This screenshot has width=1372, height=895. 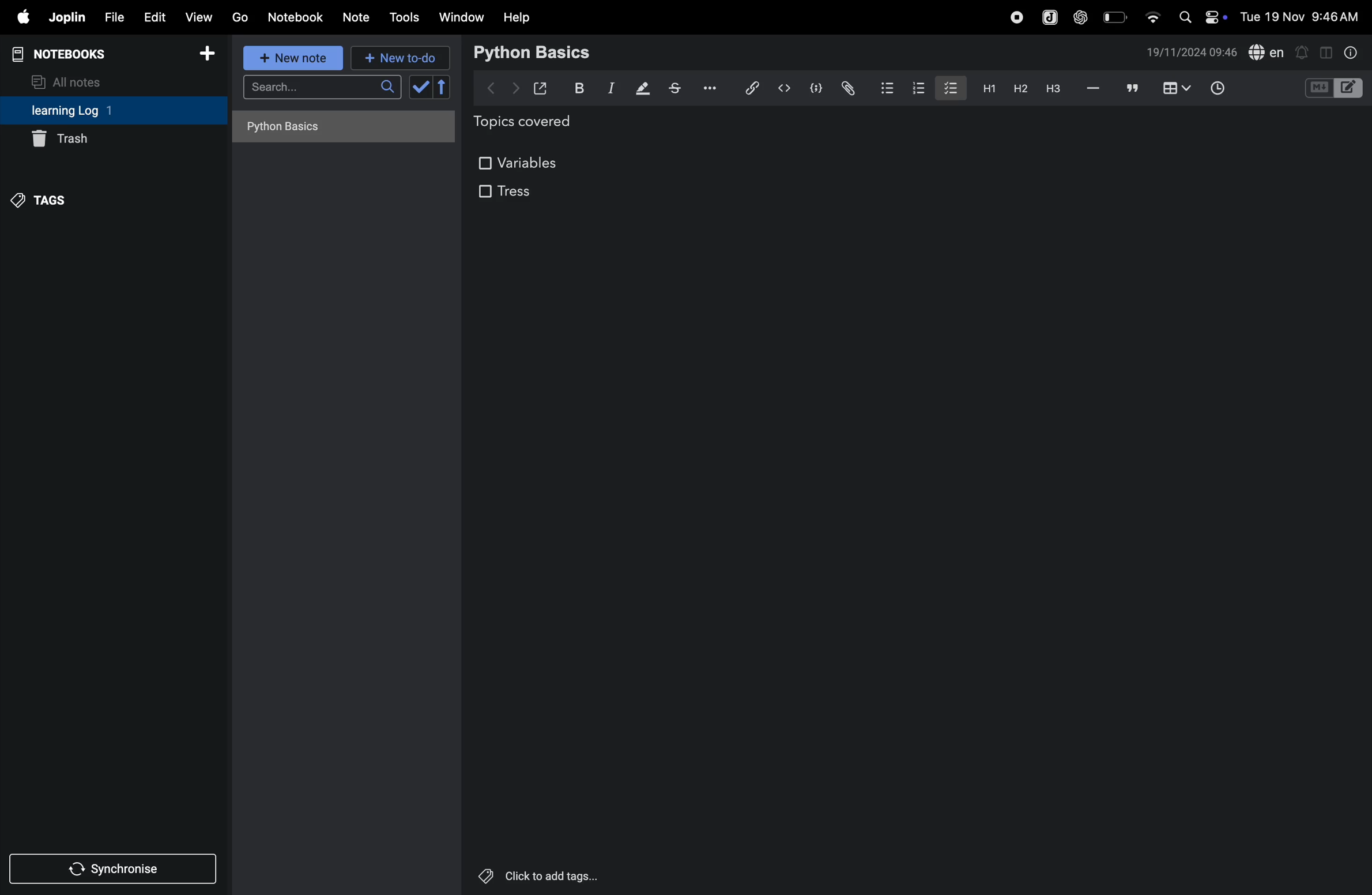 What do you see at coordinates (609, 89) in the screenshot?
I see `itallic` at bounding box center [609, 89].